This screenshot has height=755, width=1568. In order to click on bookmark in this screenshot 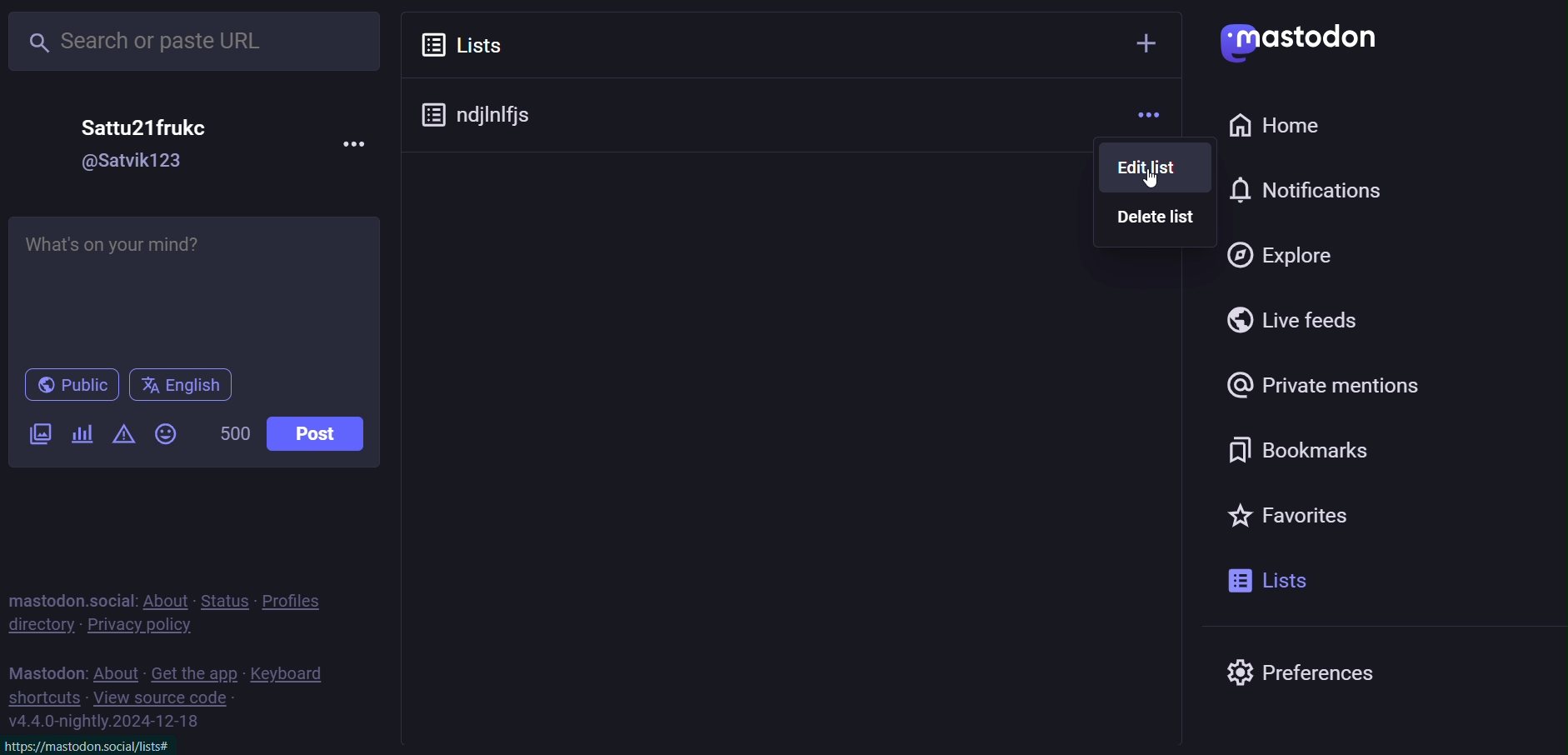, I will do `click(1307, 453)`.